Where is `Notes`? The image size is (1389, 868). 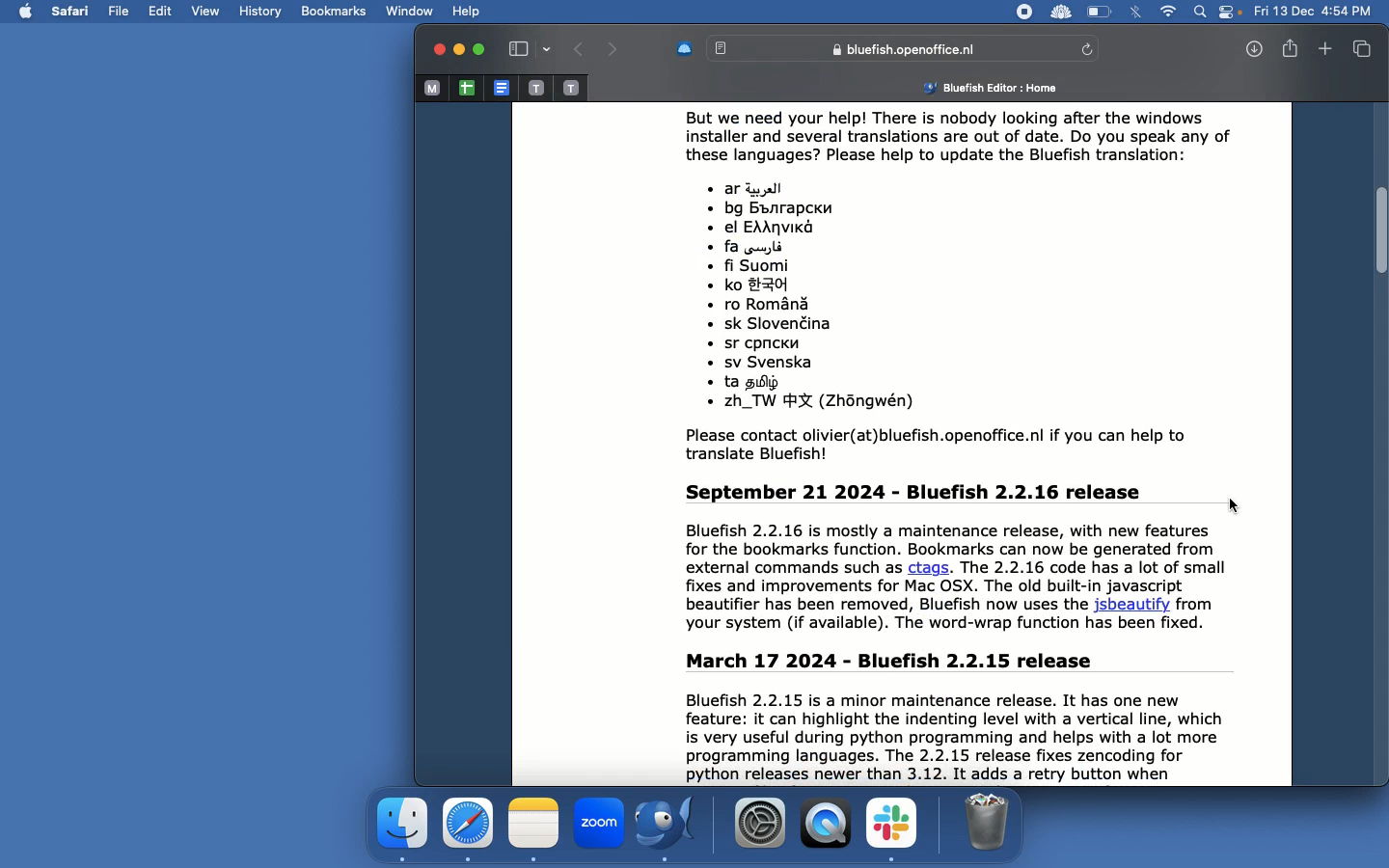
Notes is located at coordinates (533, 826).